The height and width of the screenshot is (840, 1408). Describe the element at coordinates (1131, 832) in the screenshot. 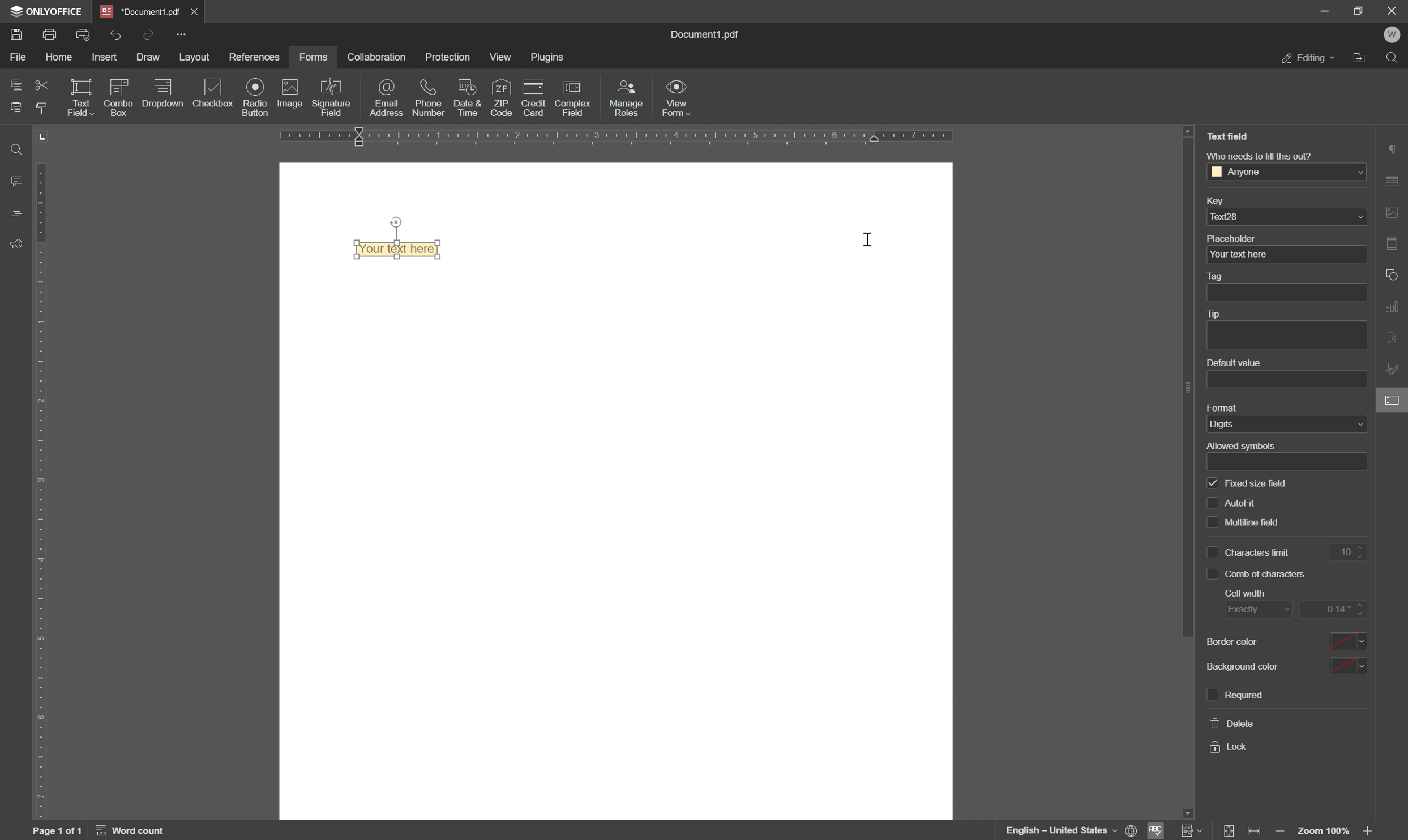

I see `set document language` at that location.